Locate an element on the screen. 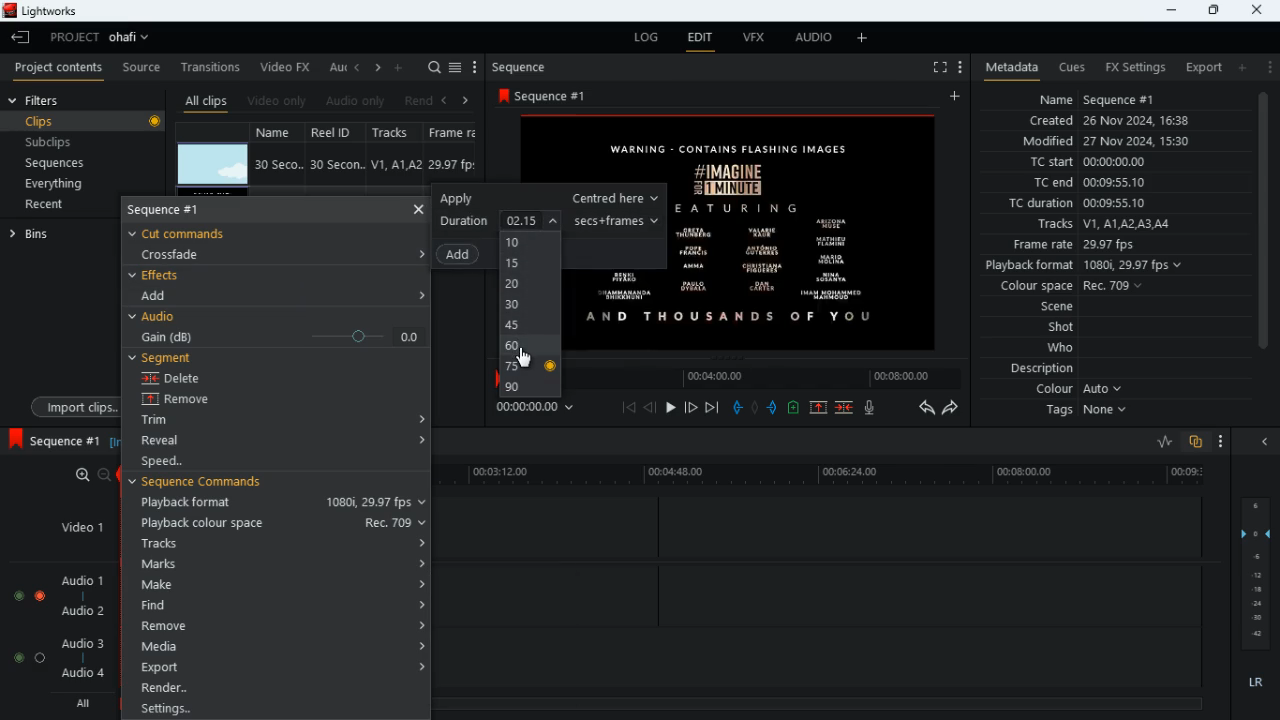 This screenshot has width=1280, height=720. gain is located at coordinates (278, 336).